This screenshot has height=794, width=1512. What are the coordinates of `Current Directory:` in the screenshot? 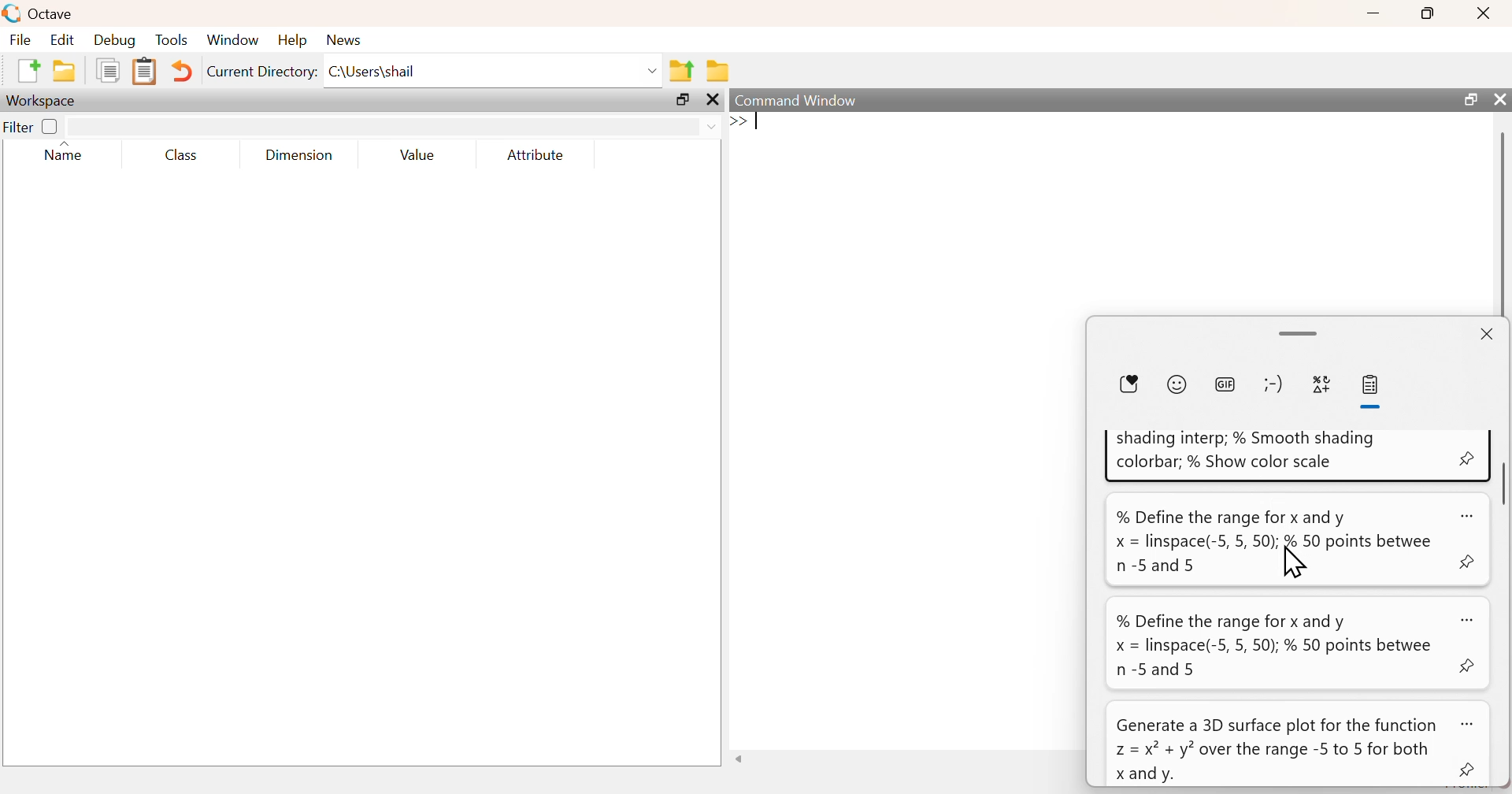 It's located at (263, 72).